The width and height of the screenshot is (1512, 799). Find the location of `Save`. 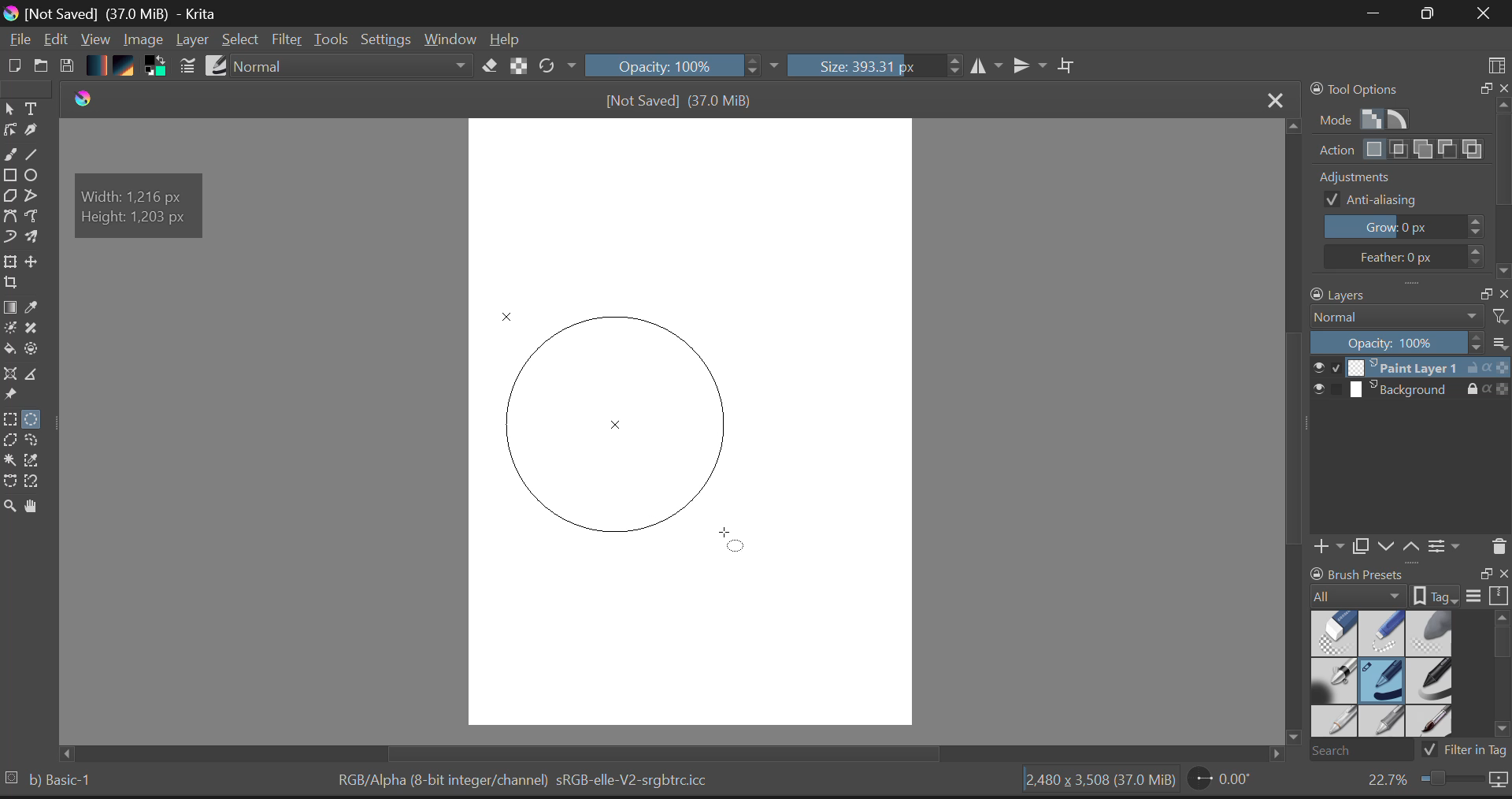

Save is located at coordinates (69, 66).